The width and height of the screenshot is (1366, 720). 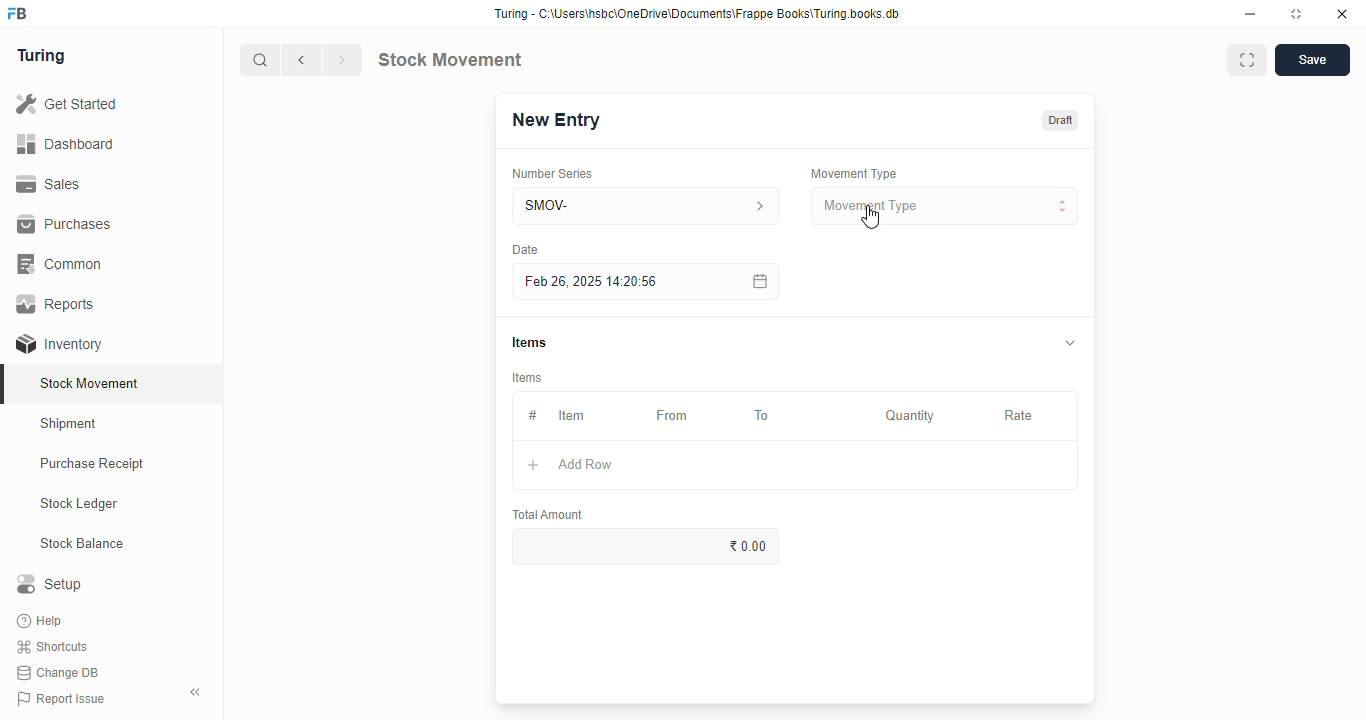 What do you see at coordinates (944, 206) in the screenshot?
I see `movement type` at bounding box center [944, 206].